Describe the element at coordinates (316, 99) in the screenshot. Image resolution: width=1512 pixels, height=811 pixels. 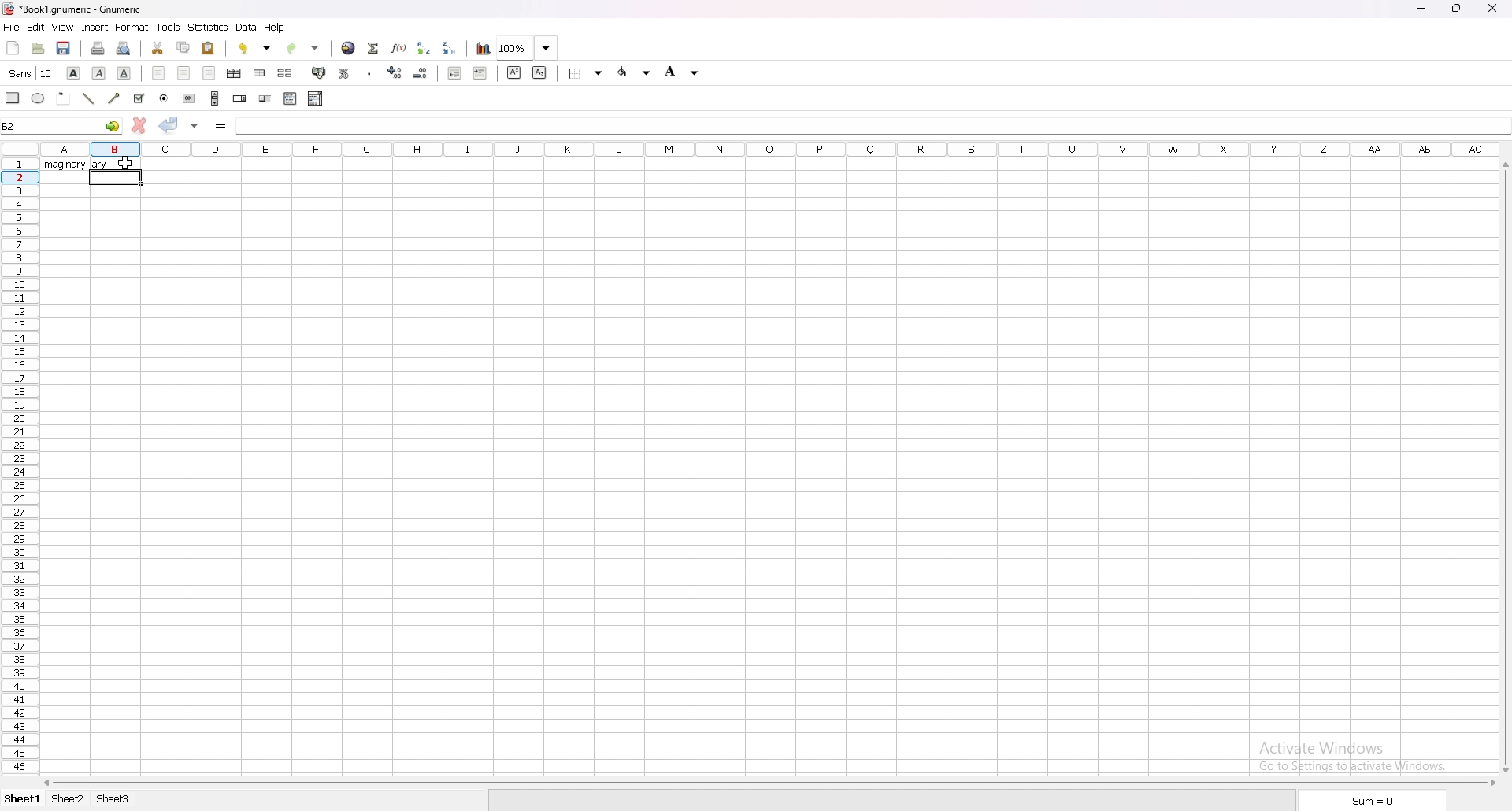
I see `combo box` at that location.